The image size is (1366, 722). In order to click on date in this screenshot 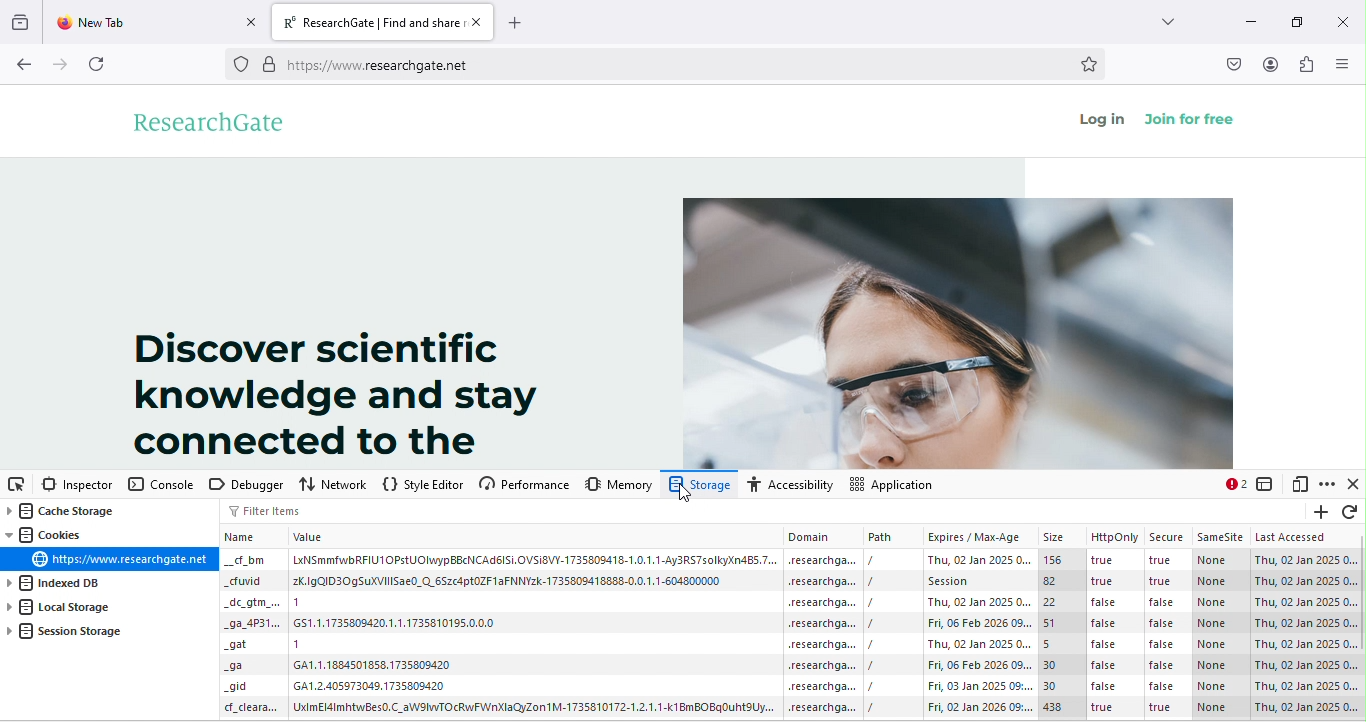, I will do `click(979, 709)`.